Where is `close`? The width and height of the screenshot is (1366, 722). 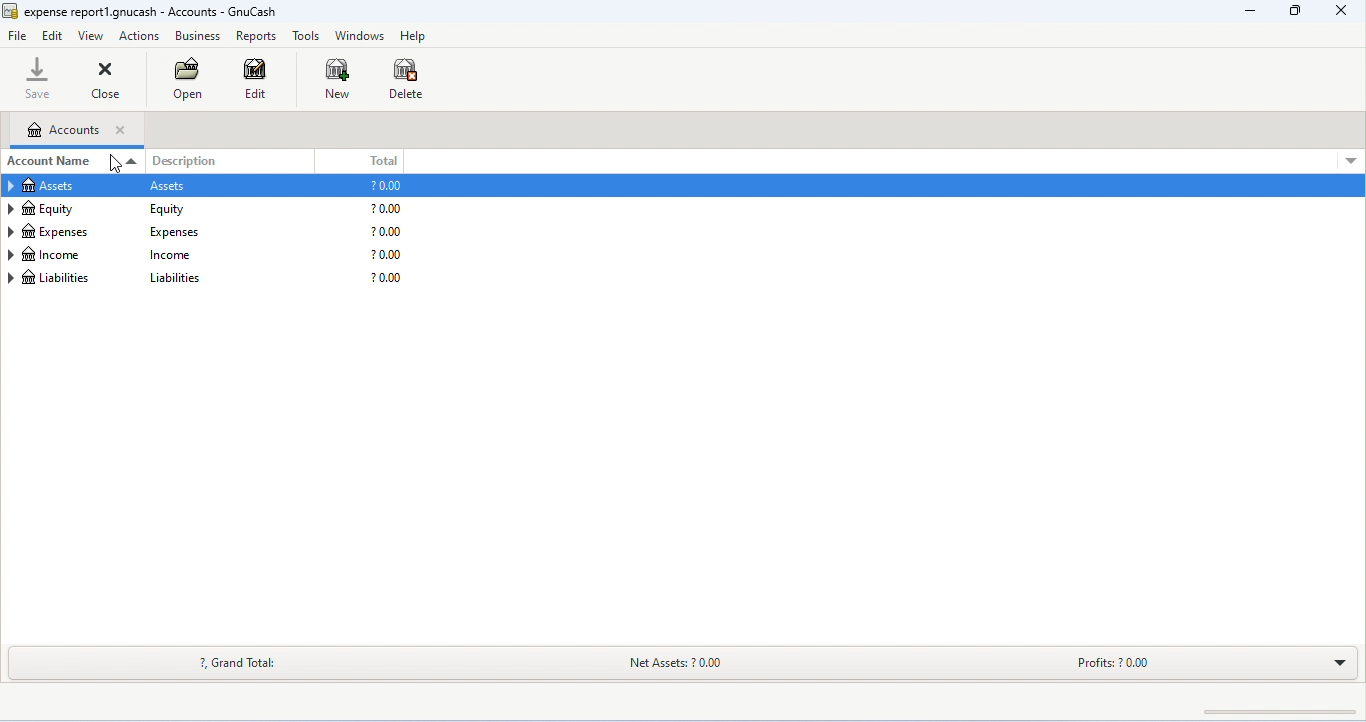 close is located at coordinates (101, 79).